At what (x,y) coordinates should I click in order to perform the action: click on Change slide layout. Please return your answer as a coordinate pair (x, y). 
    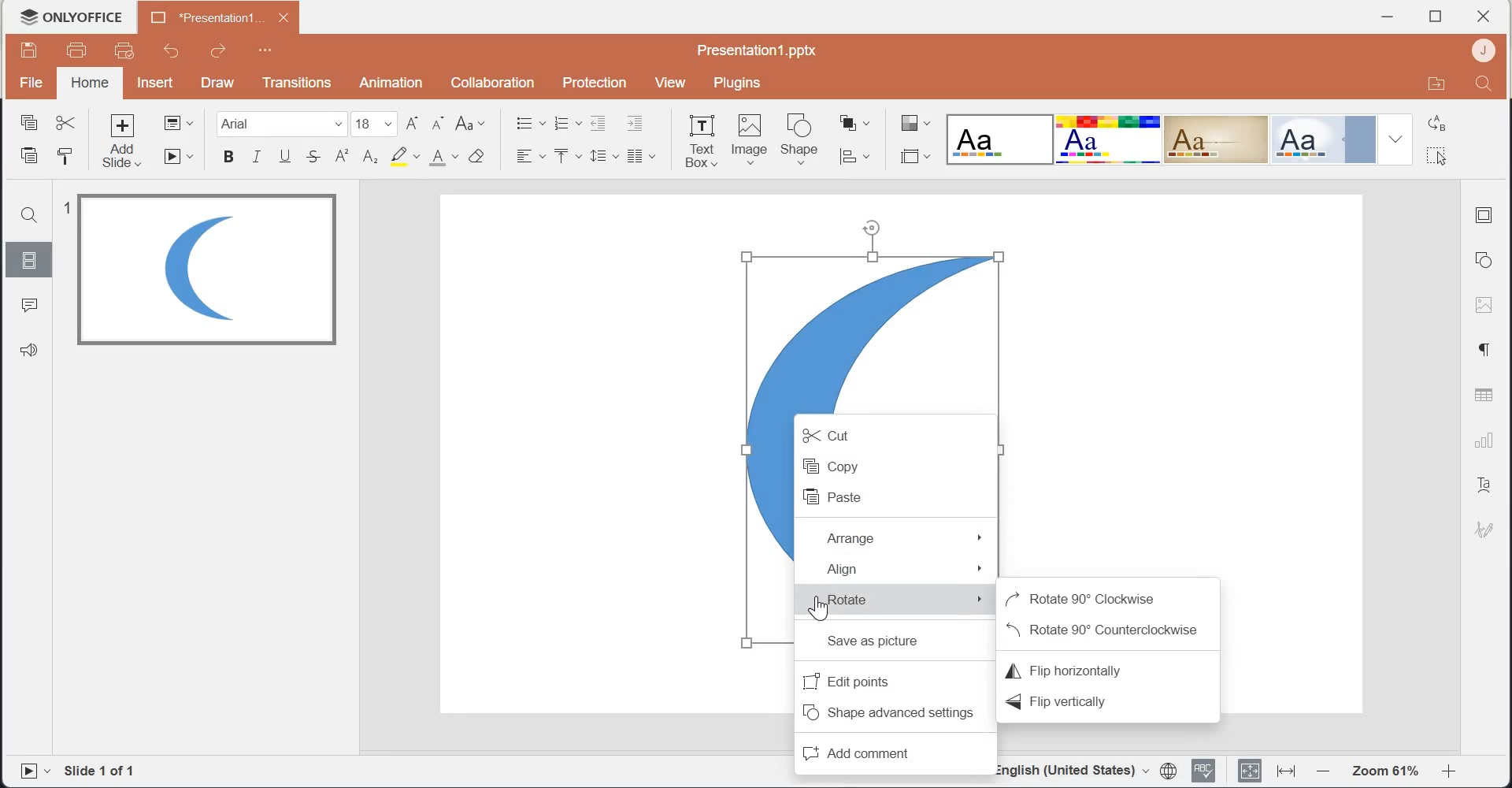
    Looking at the image, I should click on (180, 123).